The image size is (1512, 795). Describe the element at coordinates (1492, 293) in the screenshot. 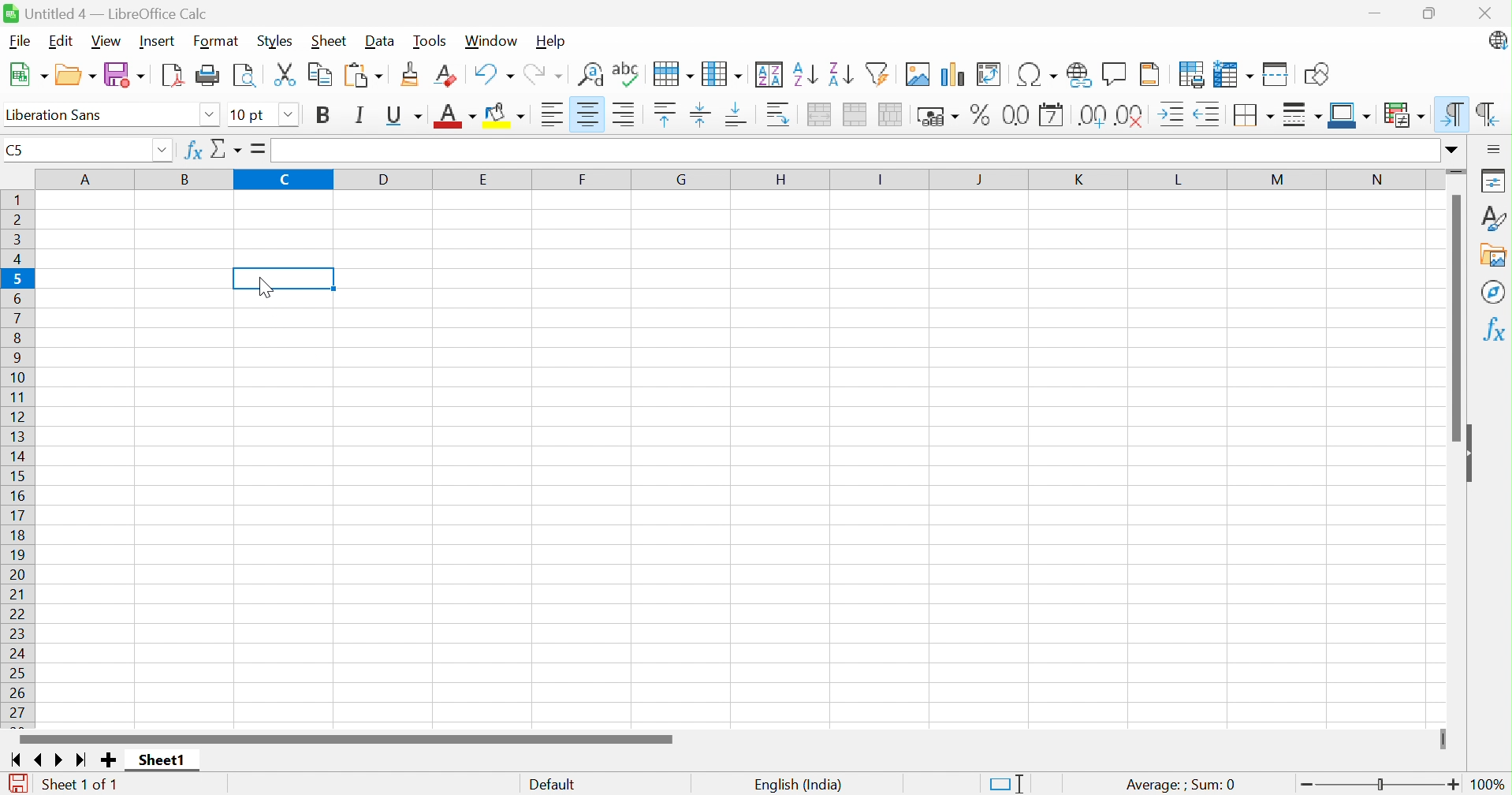

I see `Navigator` at that location.